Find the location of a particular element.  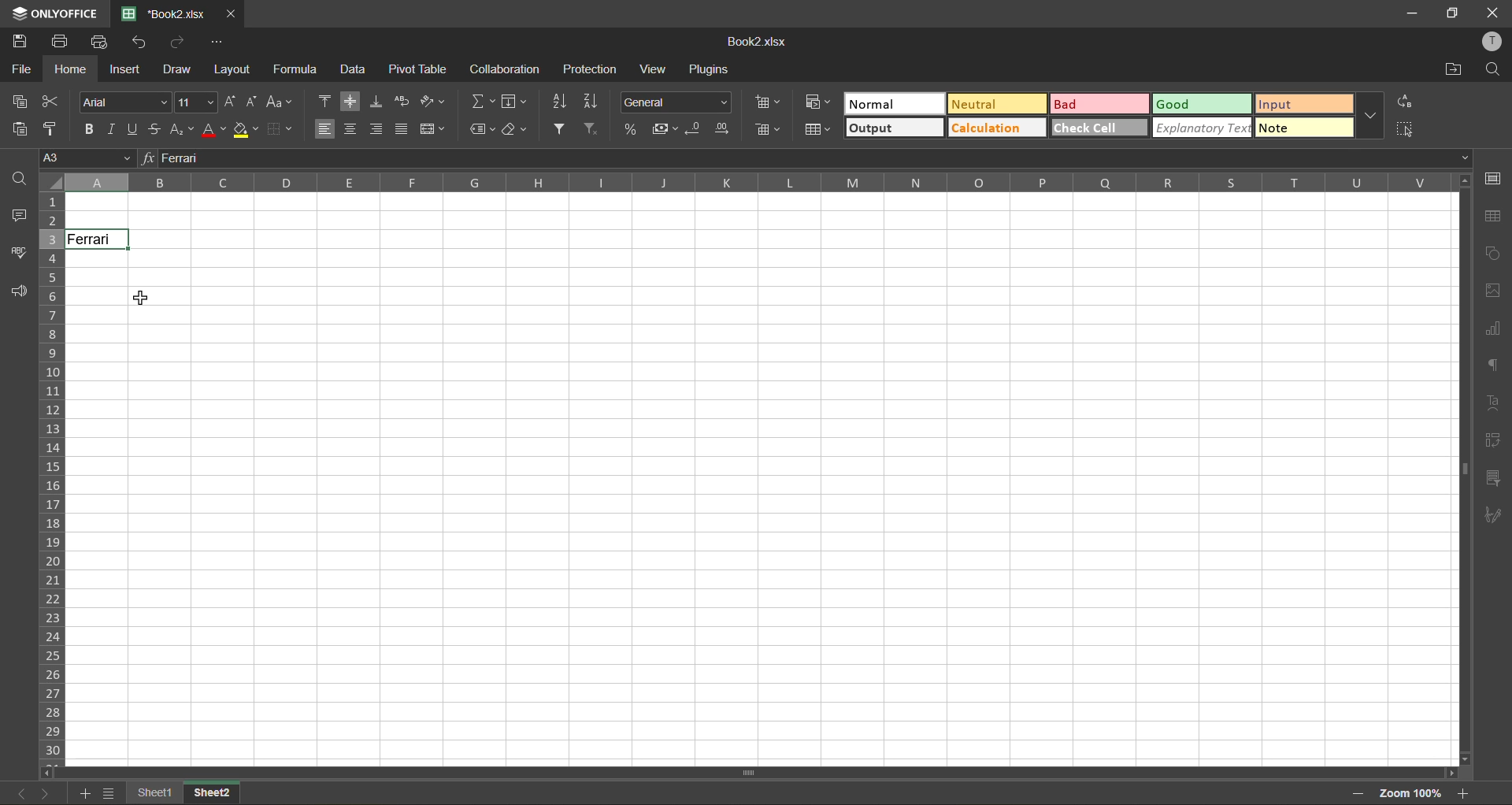

text is located at coordinates (1496, 402).